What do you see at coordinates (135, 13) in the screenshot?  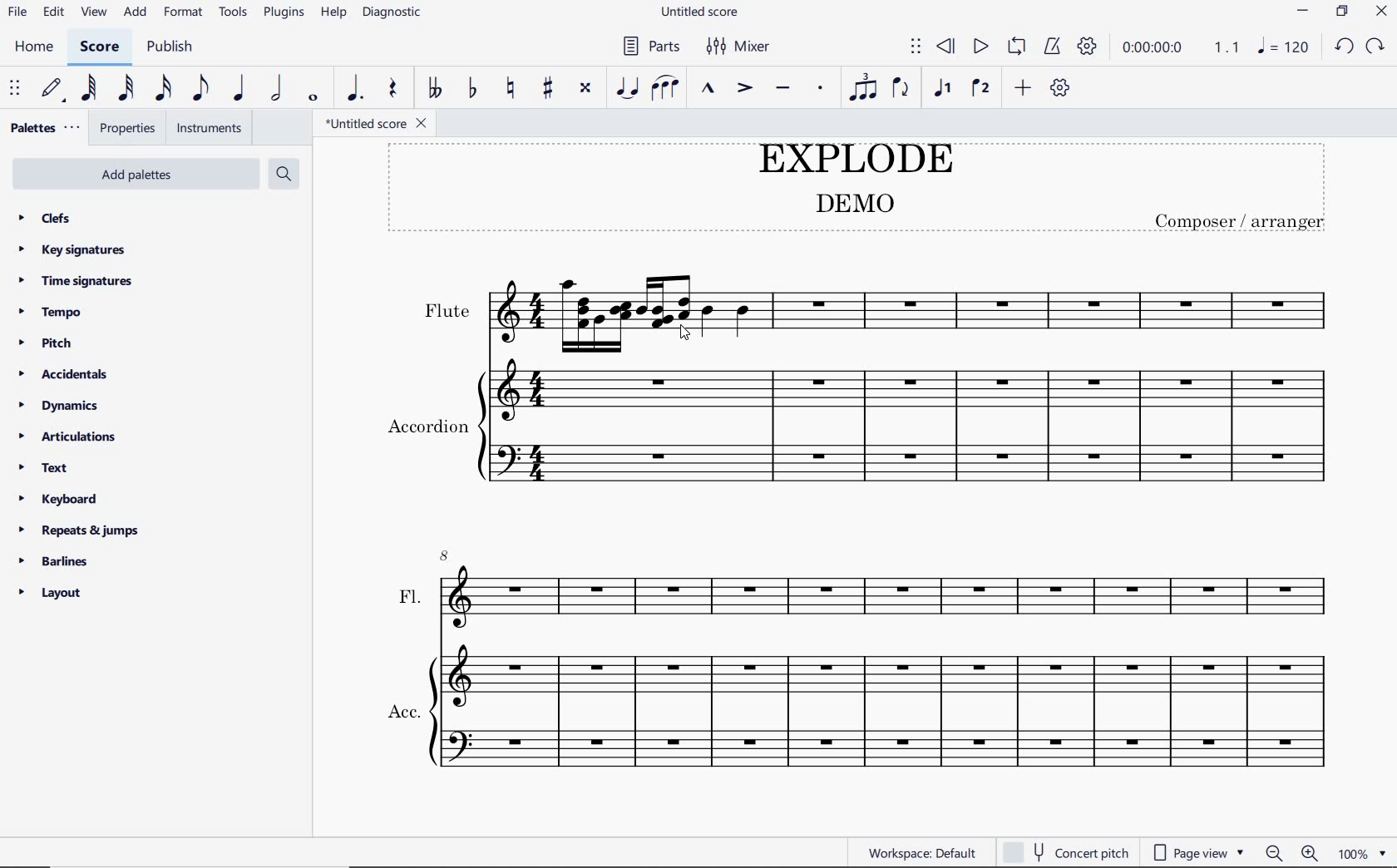 I see `add` at bounding box center [135, 13].